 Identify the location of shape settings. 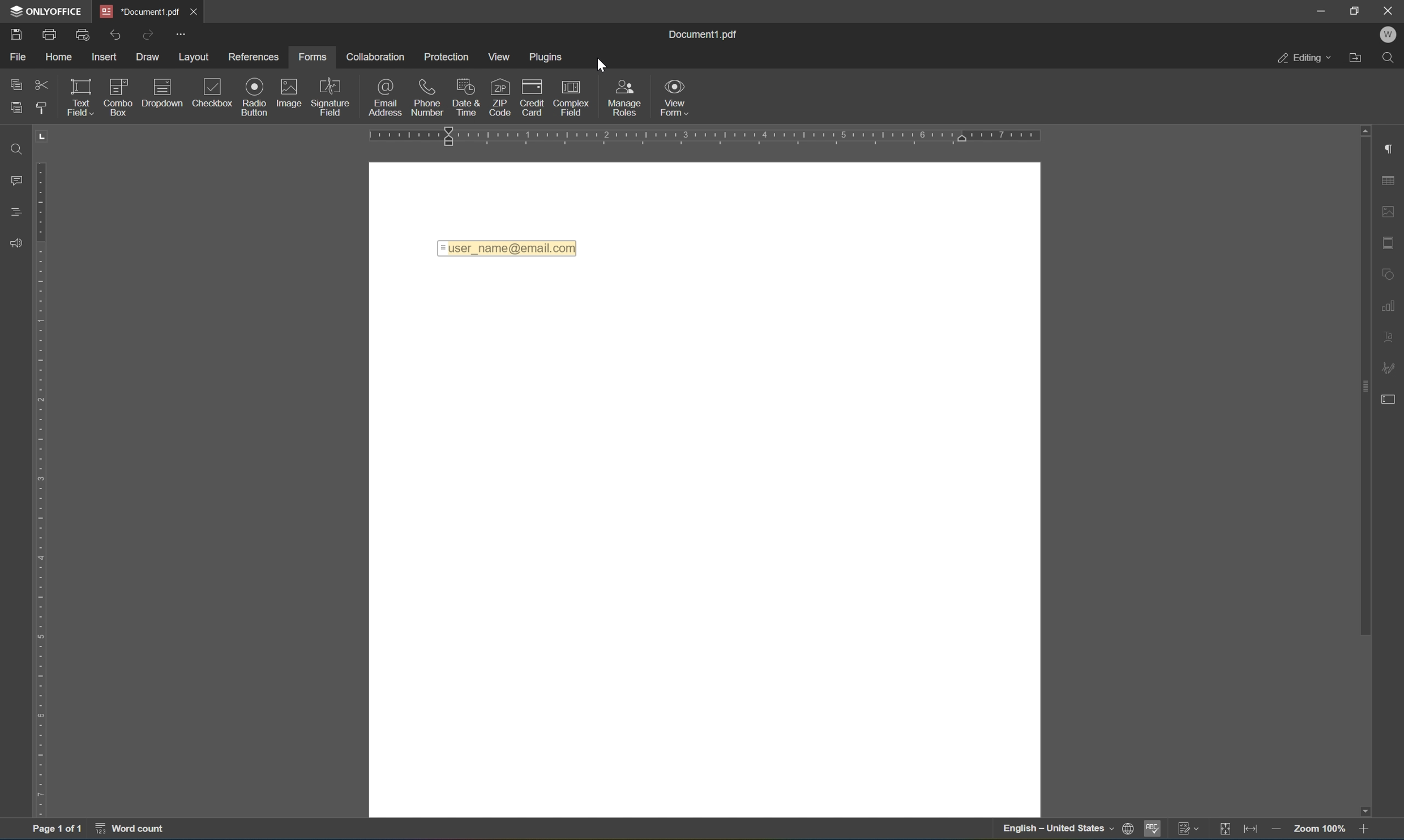
(1393, 274).